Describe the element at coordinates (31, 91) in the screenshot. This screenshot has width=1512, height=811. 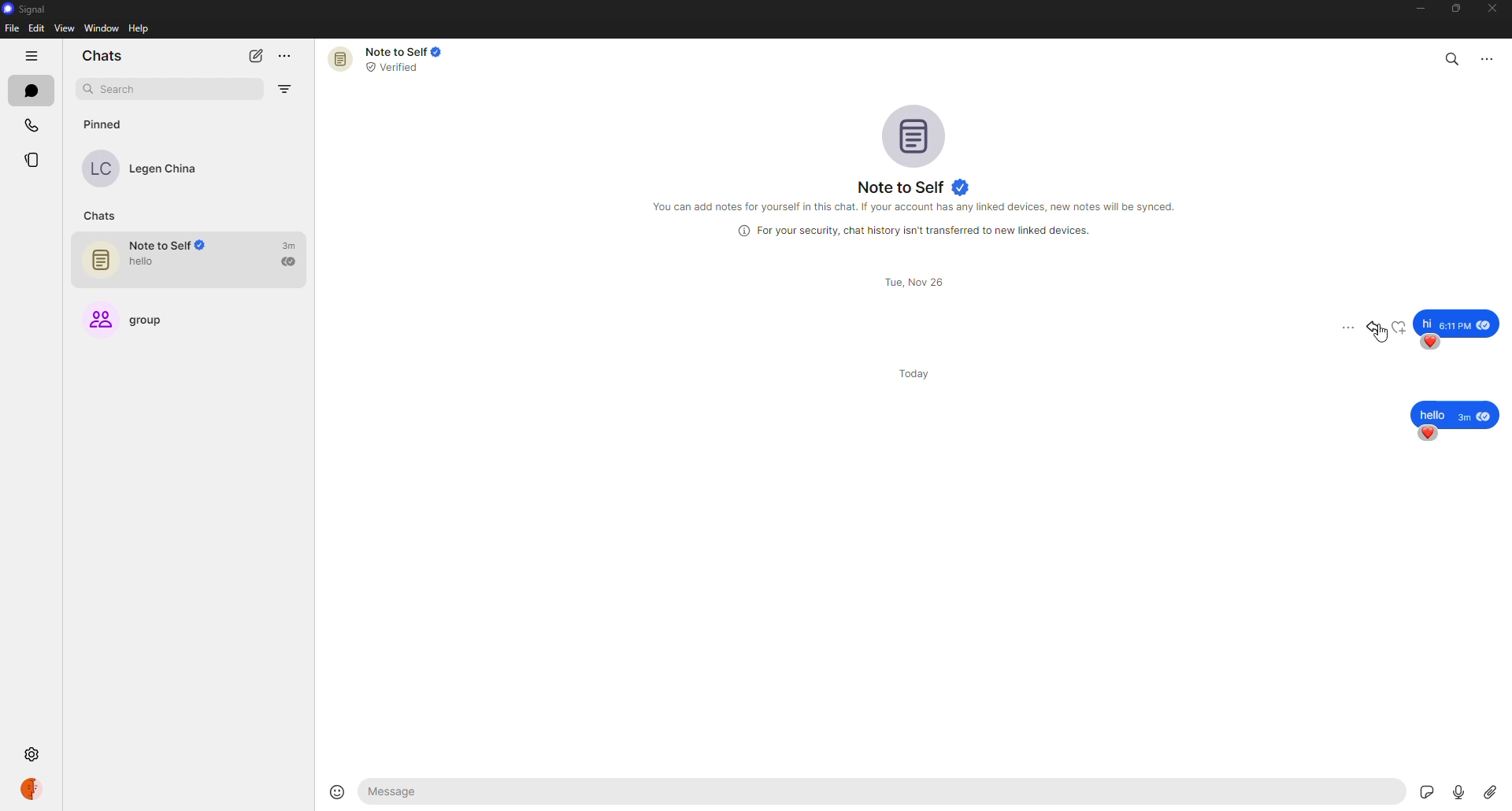
I see `chats` at that location.